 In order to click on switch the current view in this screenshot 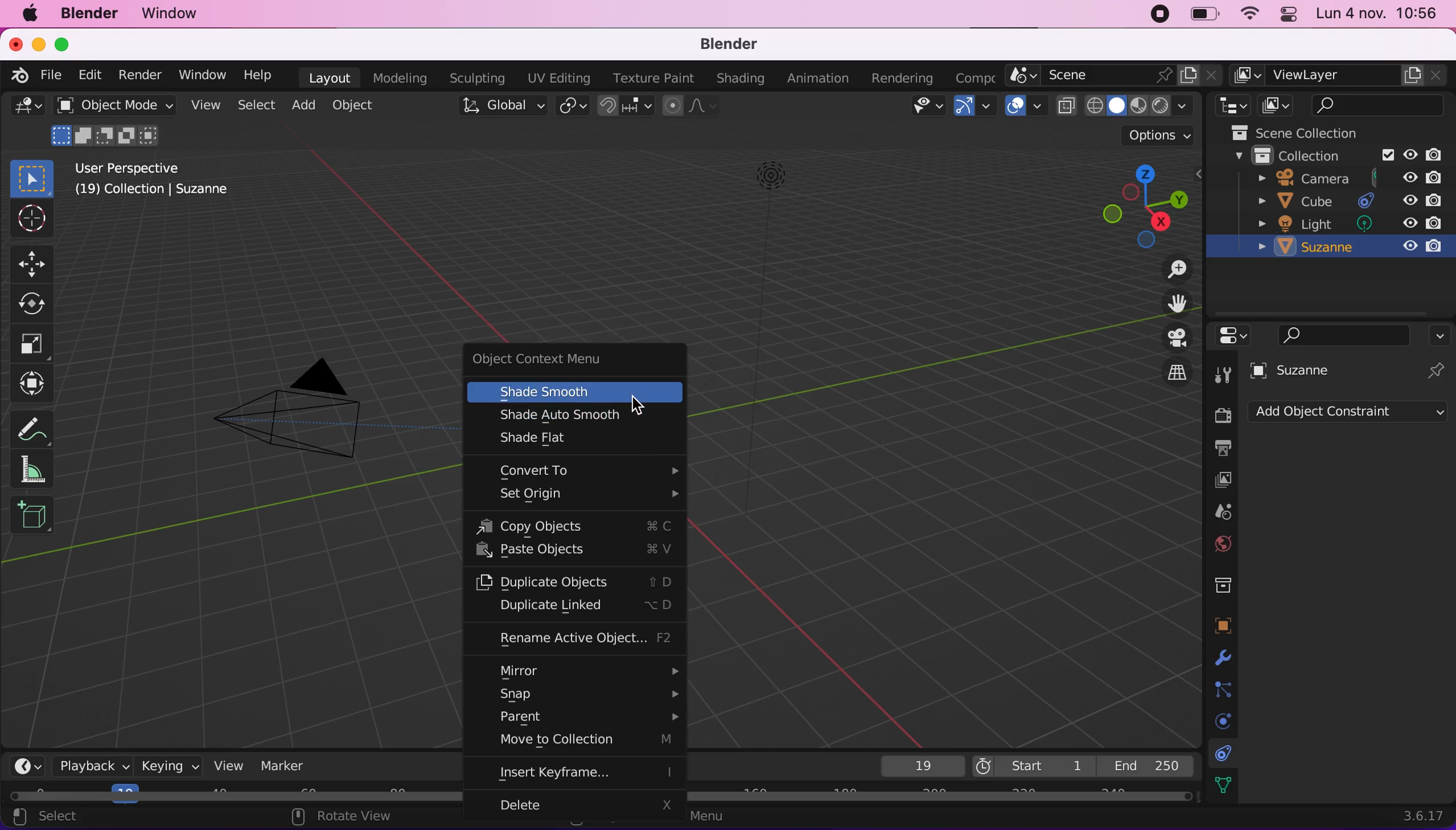, I will do `click(1176, 372)`.